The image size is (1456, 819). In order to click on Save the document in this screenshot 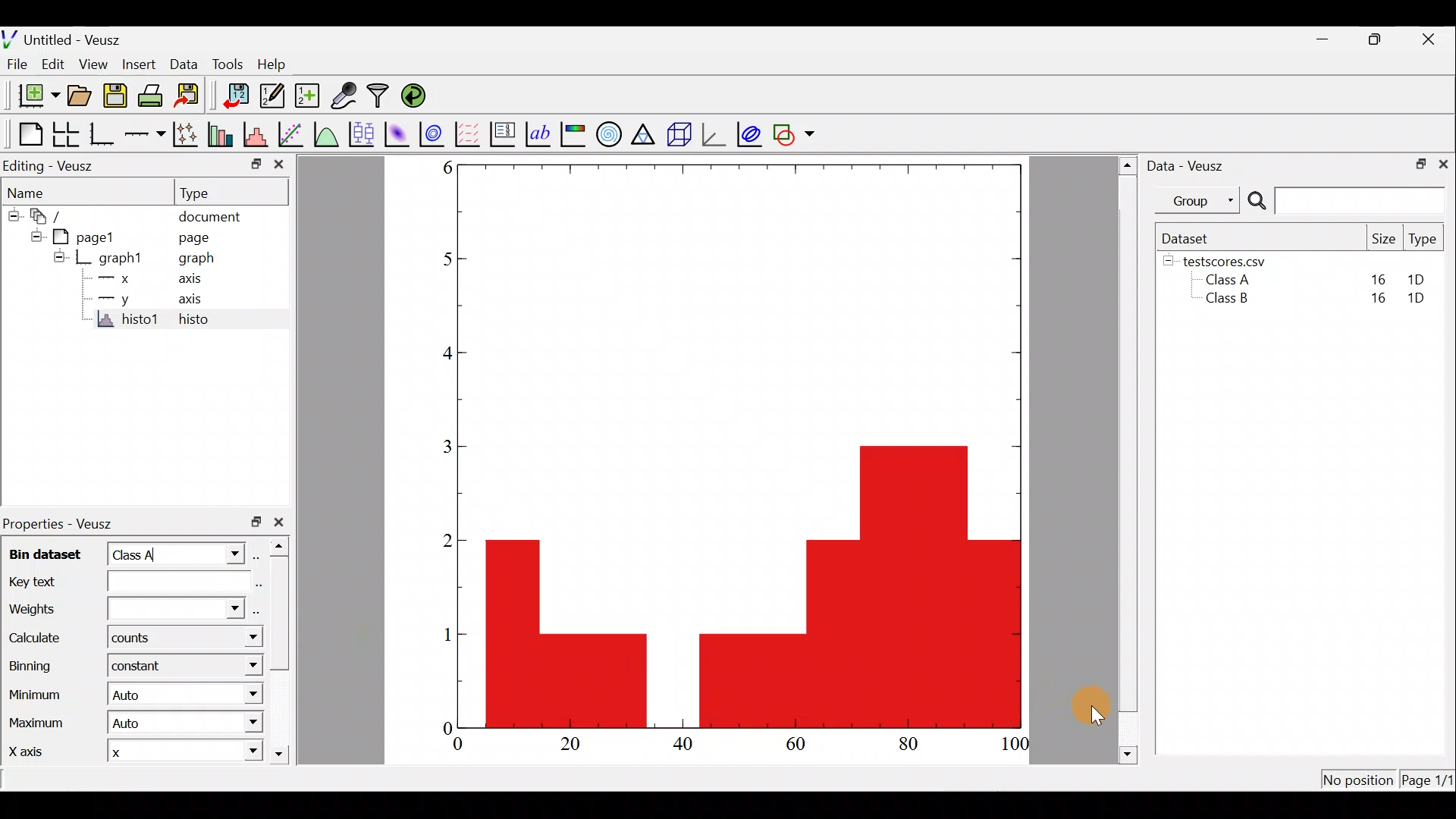, I will do `click(115, 93)`.